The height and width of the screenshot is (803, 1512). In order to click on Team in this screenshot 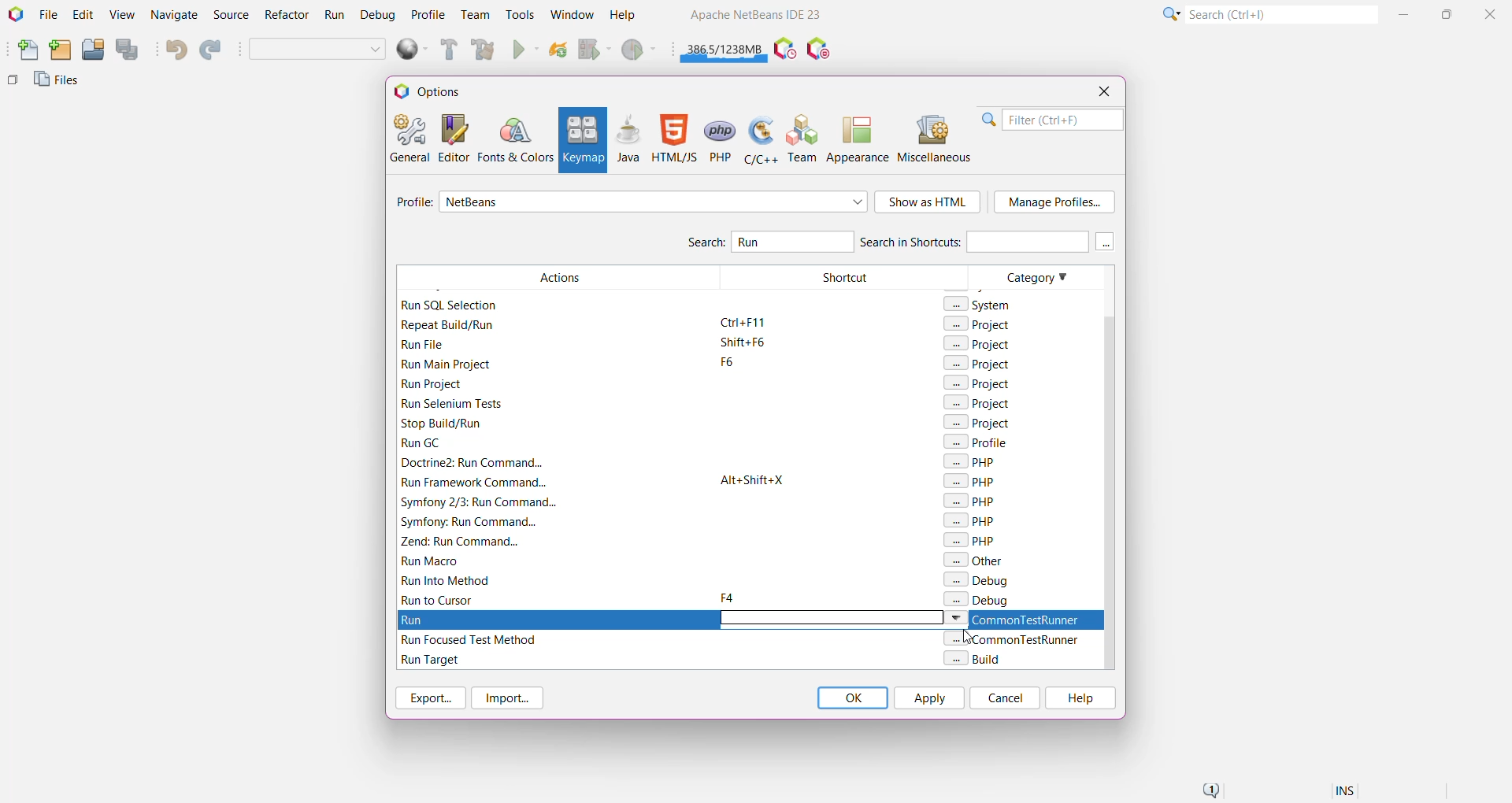, I will do `click(474, 15)`.